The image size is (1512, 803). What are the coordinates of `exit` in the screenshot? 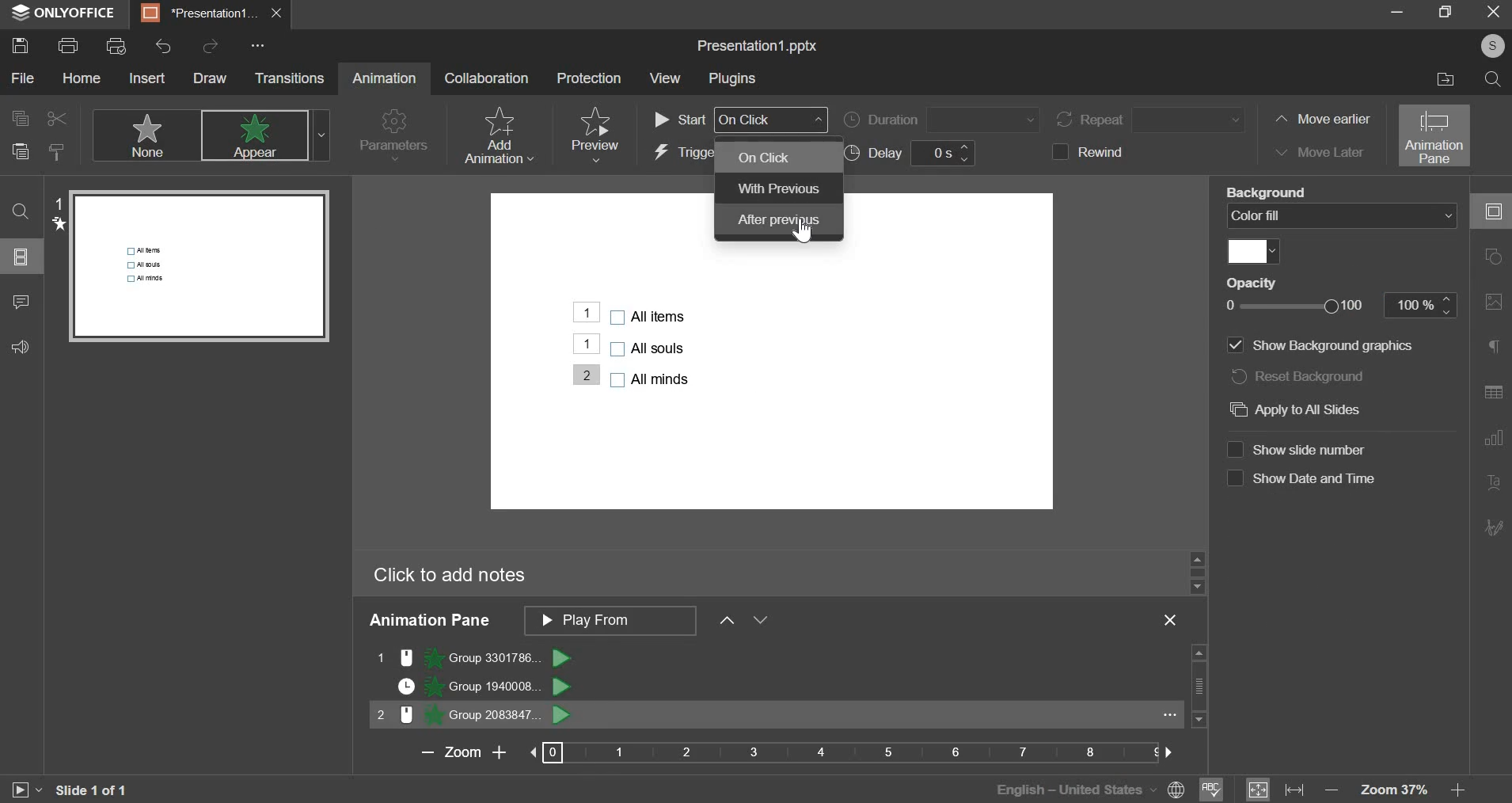 It's located at (1170, 619).